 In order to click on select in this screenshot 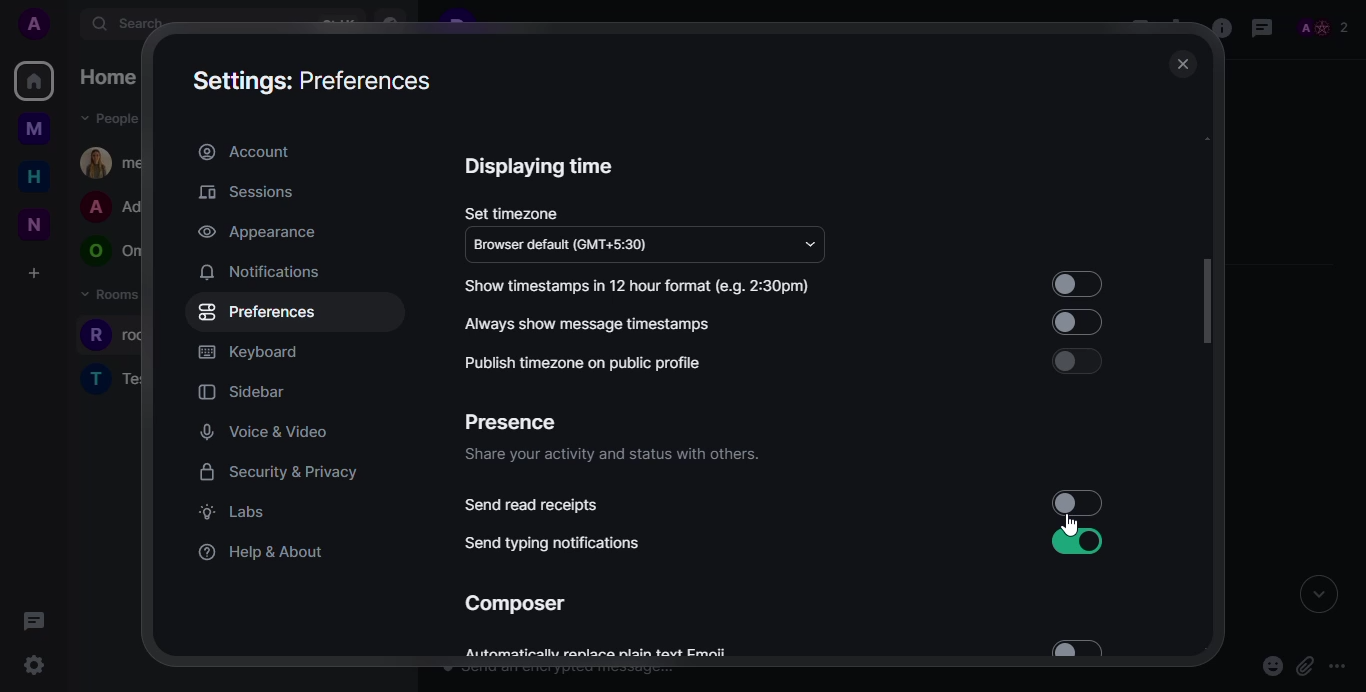, I will do `click(1080, 646)`.